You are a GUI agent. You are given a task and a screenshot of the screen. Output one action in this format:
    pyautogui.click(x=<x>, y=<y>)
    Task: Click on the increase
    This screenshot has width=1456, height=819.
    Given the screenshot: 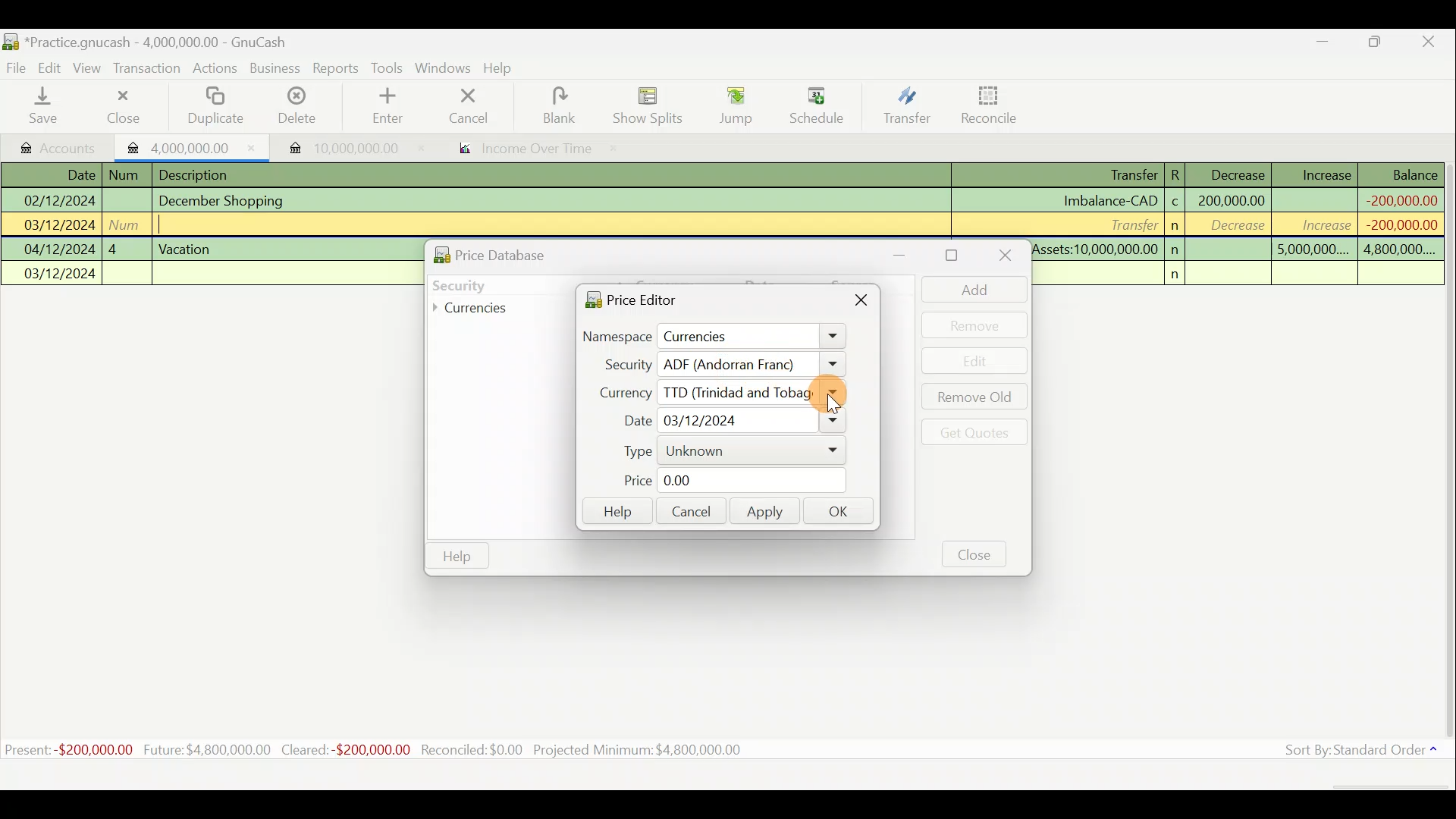 What is the action you would take?
    pyautogui.click(x=1317, y=224)
    